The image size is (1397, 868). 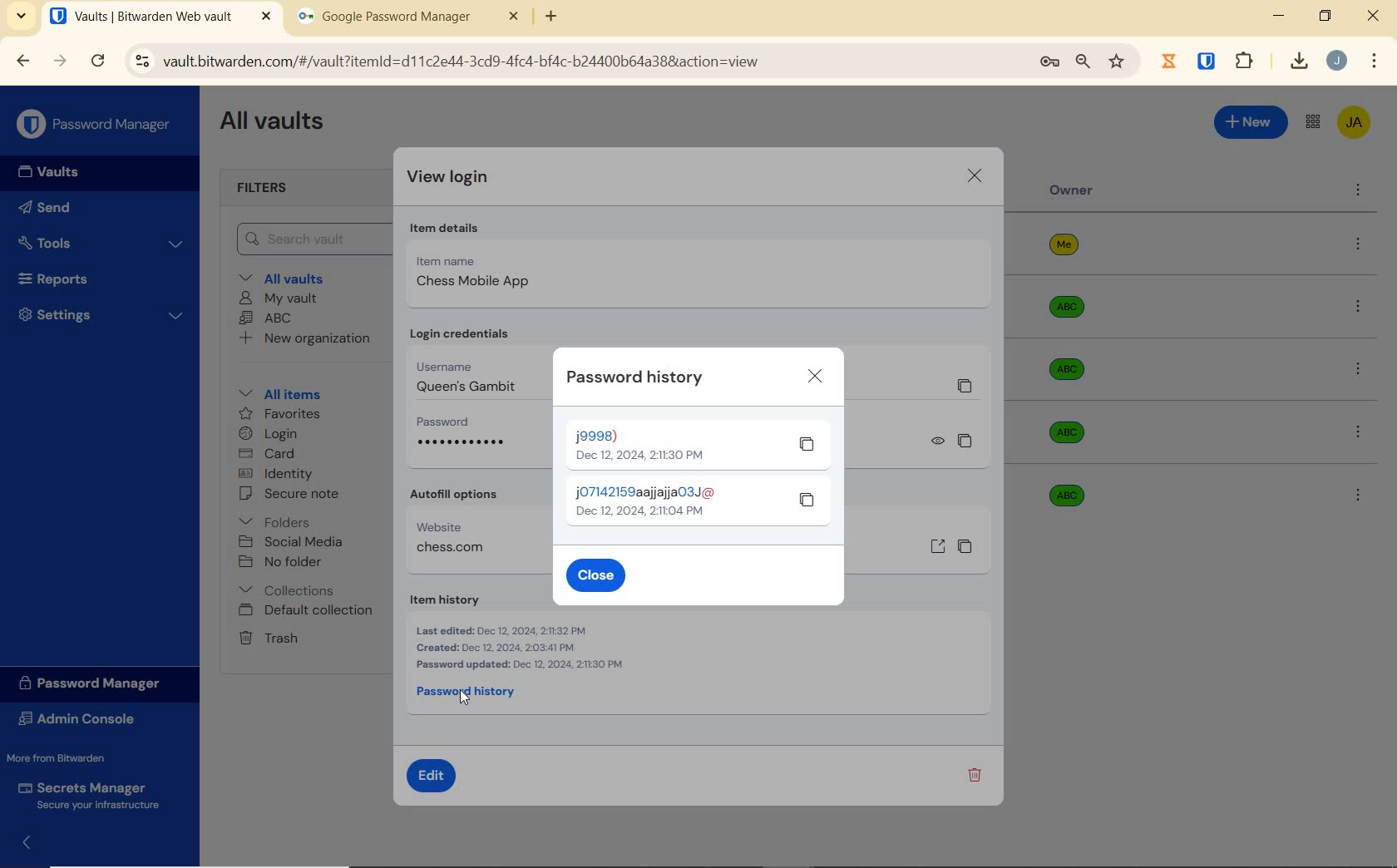 I want to click on cursor, so click(x=467, y=696).